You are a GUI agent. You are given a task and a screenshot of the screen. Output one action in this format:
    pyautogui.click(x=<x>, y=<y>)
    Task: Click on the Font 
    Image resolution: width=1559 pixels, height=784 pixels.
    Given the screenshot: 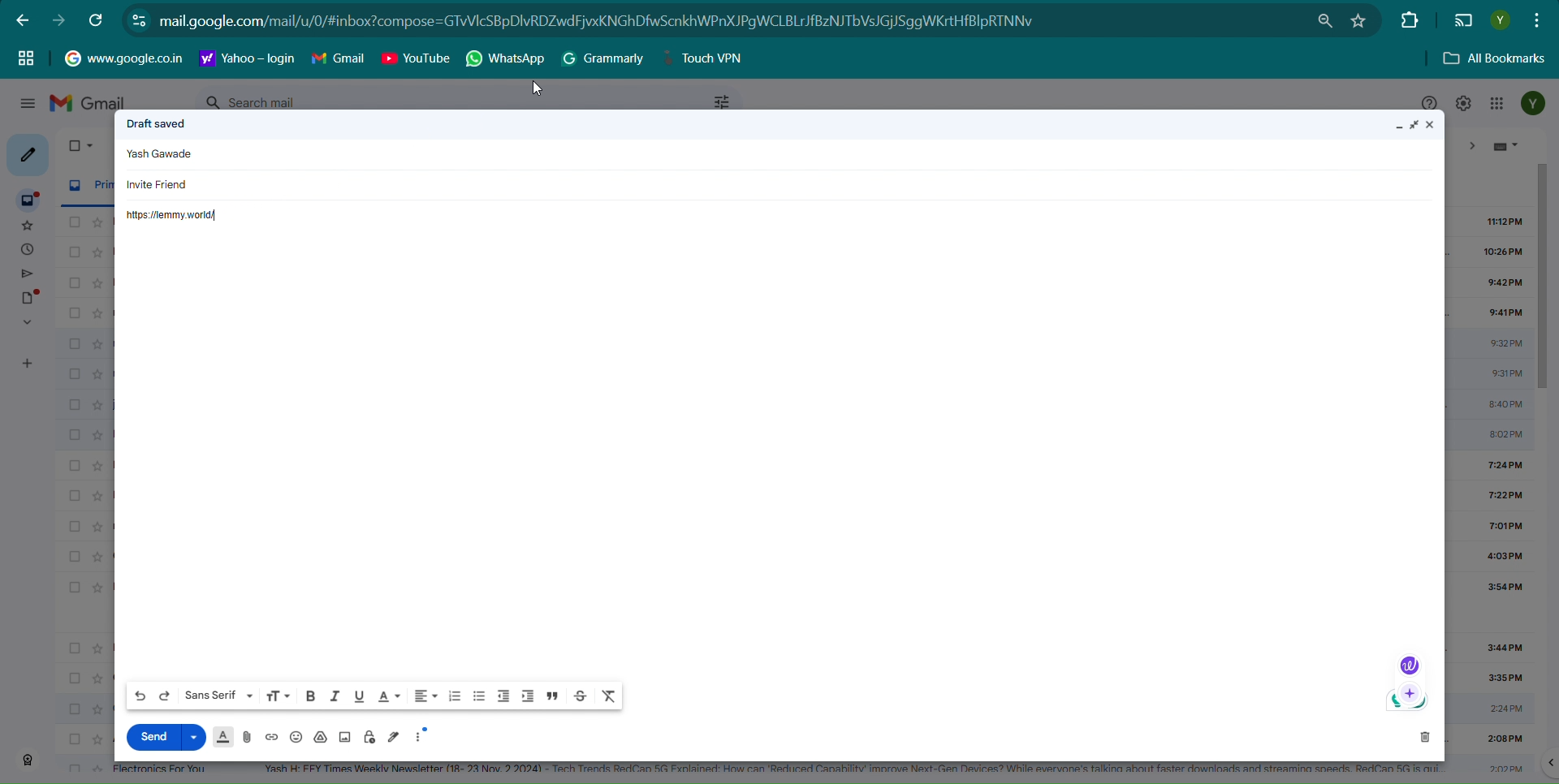 What is the action you would take?
    pyautogui.click(x=219, y=695)
    